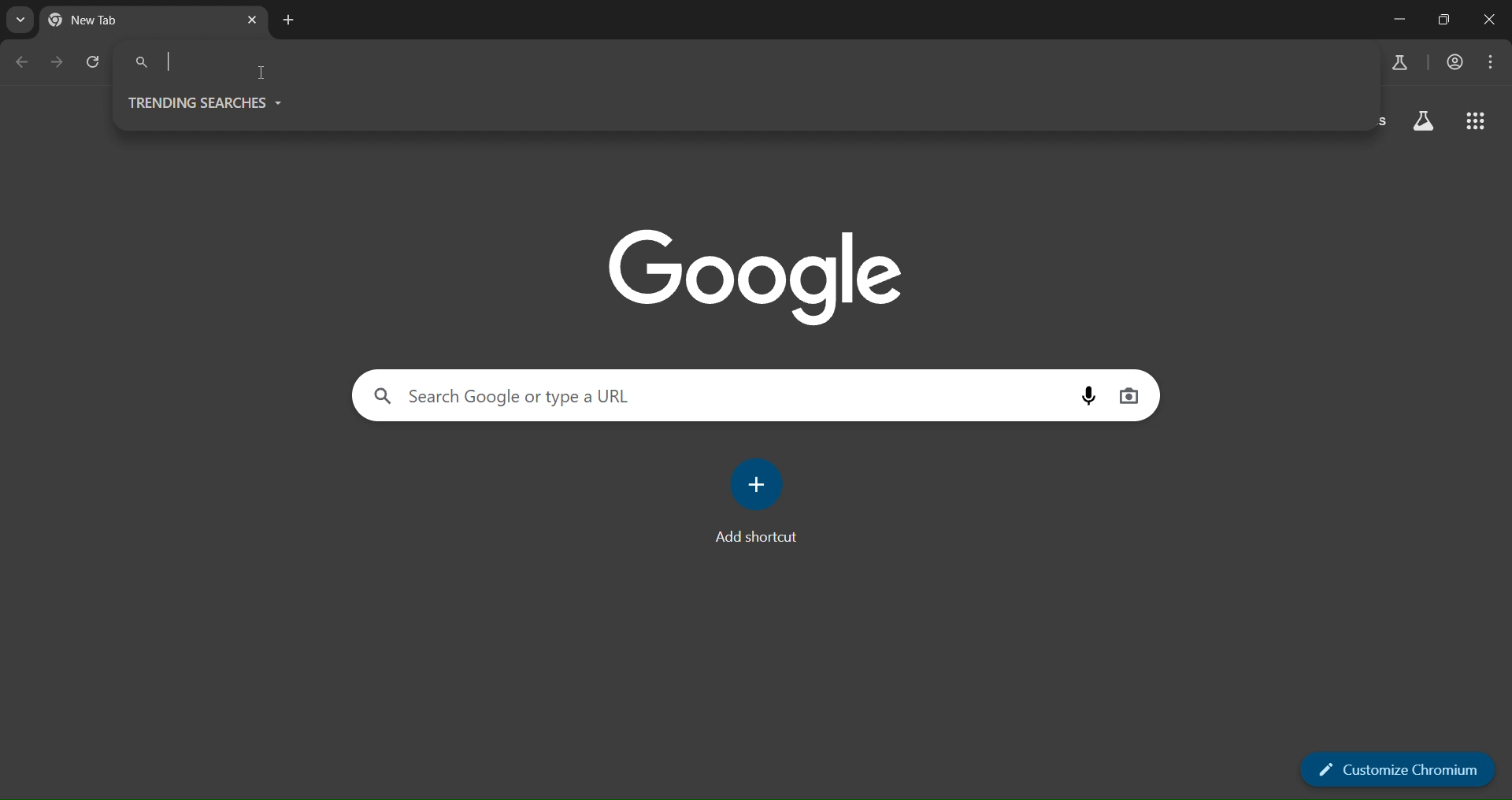 This screenshot has width=1512, height=800. Describe the element at coordinates (1441, 20) in the screenshot. I see `restore down` at that location.